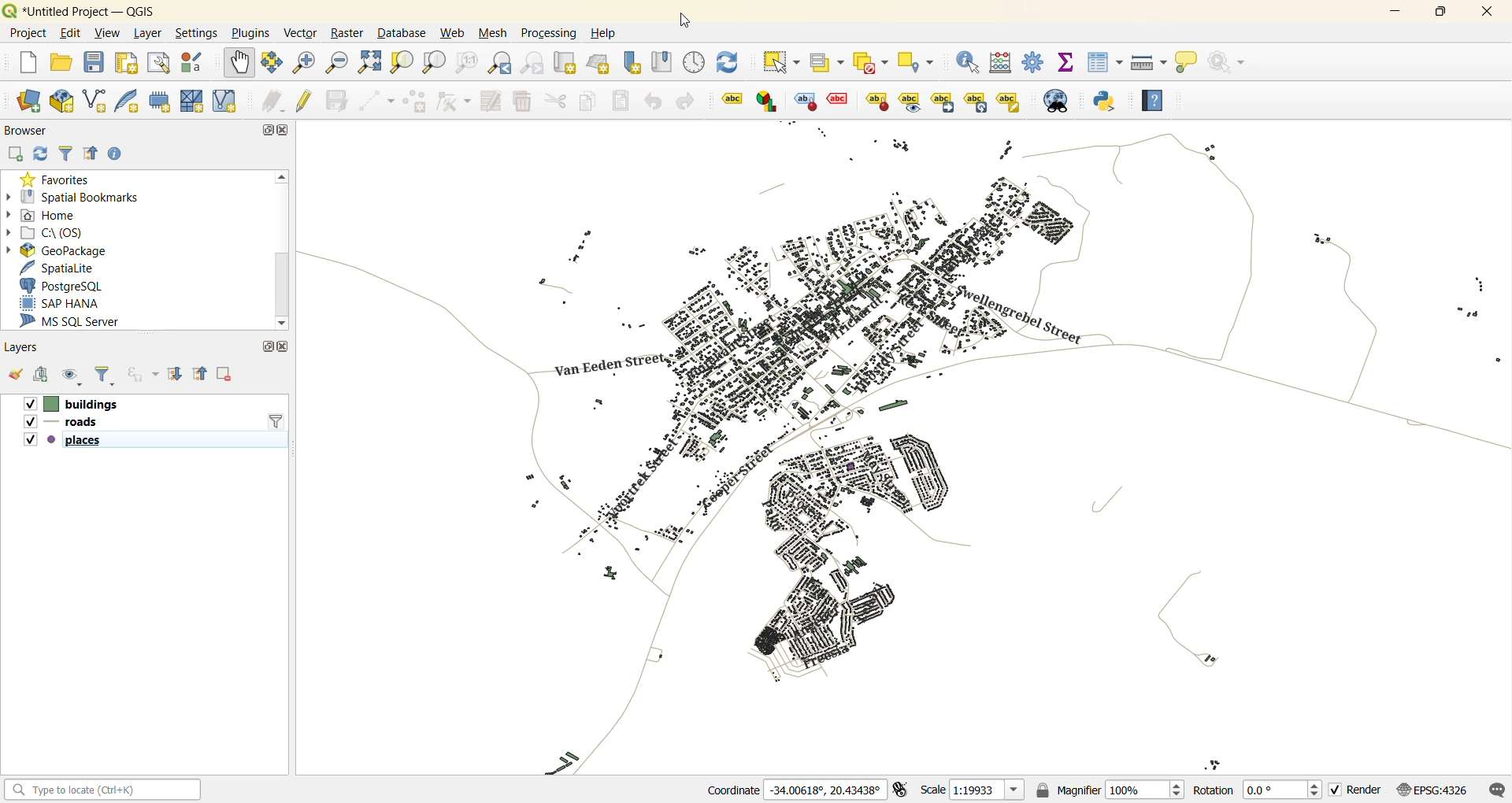 The width and height of the screenshot is (1512, 803). I want to click on digitize, so click(373, 101).